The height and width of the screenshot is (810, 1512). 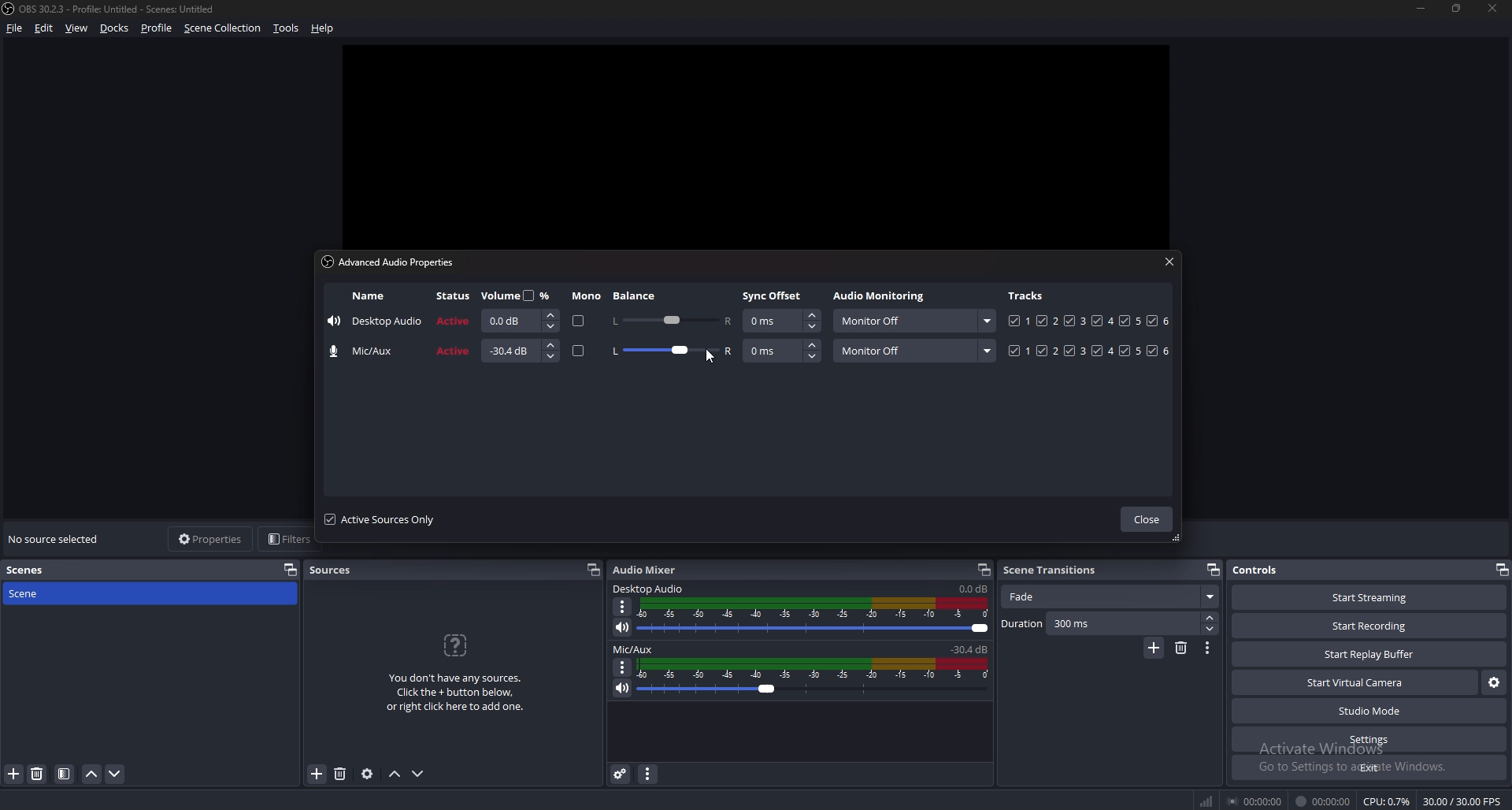 What do you see at coordinates (1368, 711) in the screenshot?
I see `studio mode` at bounding box center [1368, 711].